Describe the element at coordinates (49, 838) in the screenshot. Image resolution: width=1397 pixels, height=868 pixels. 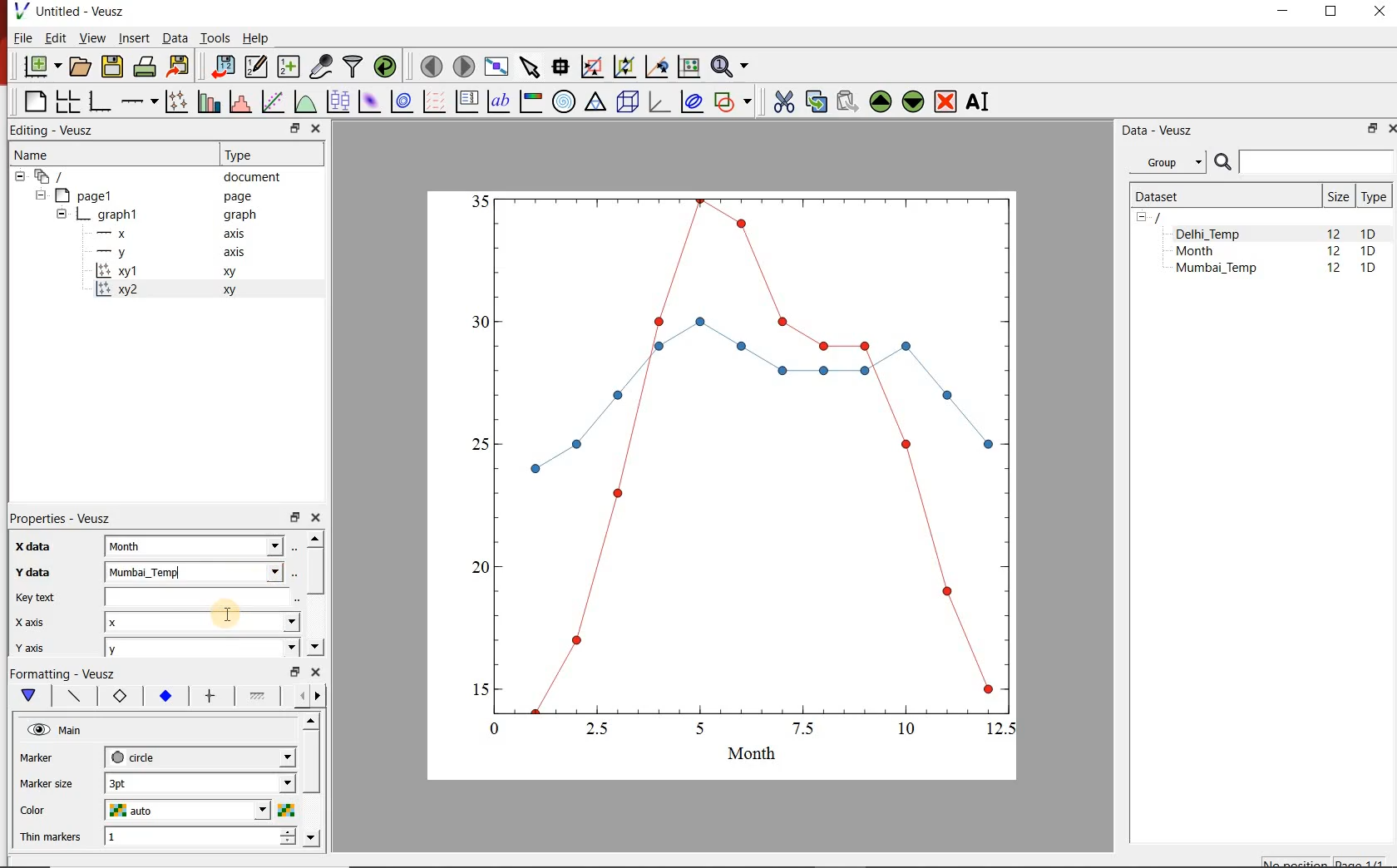
I see `Thin markers` at that location.